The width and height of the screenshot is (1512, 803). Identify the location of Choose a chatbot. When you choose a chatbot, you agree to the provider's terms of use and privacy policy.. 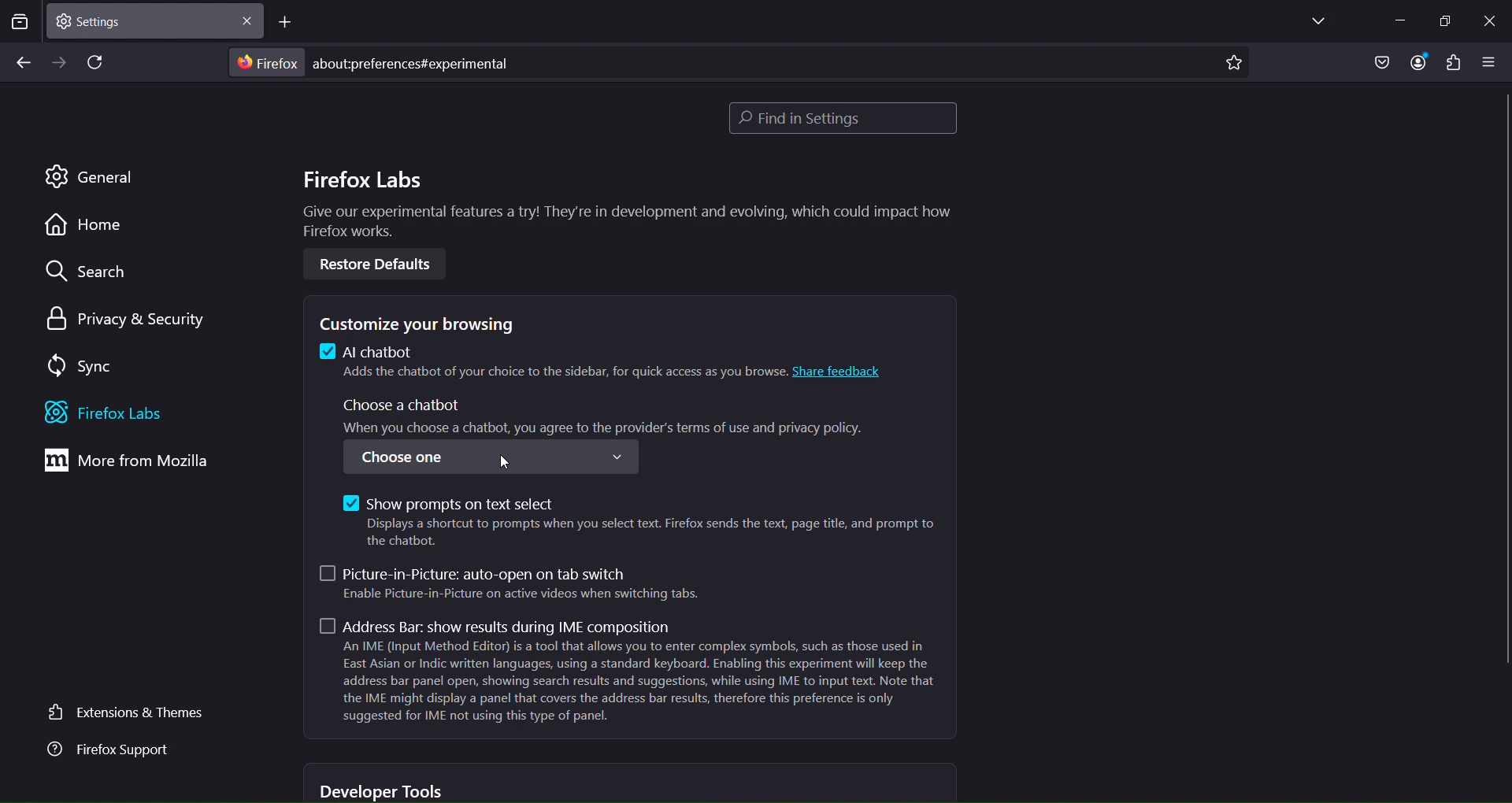
(608, 416).